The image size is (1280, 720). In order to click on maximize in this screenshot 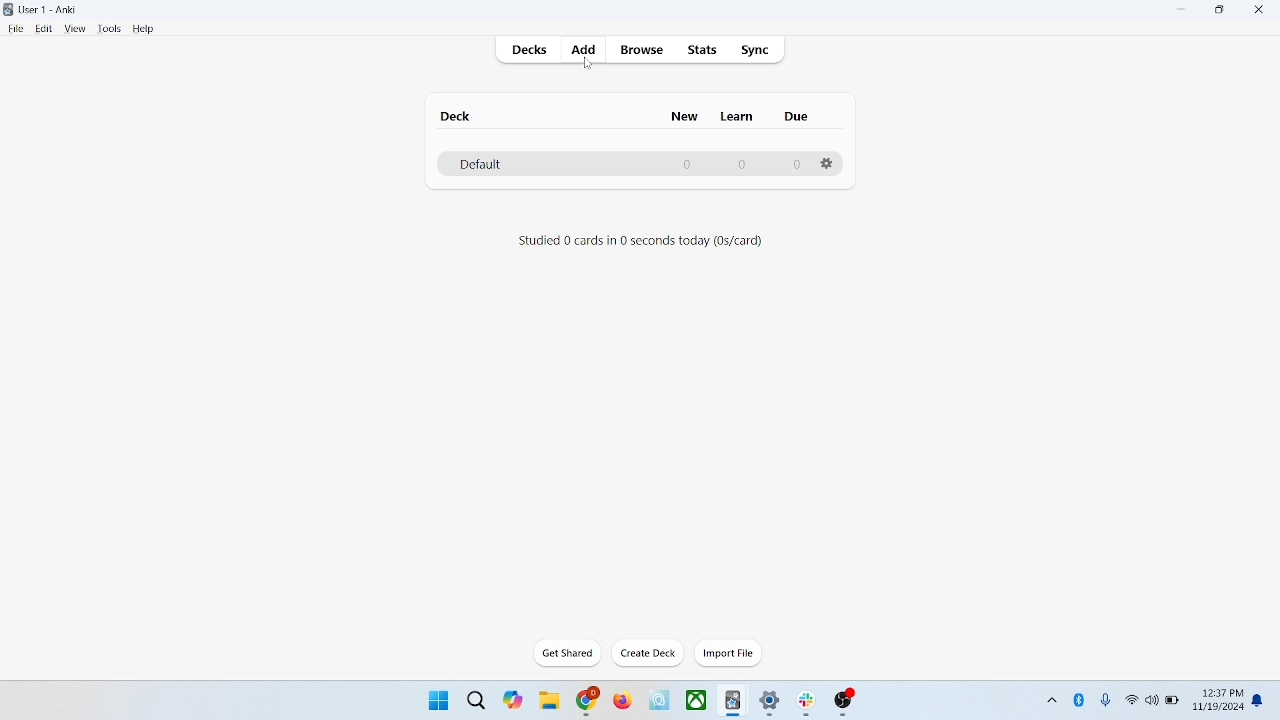, I will do `click(1220, 13)`.